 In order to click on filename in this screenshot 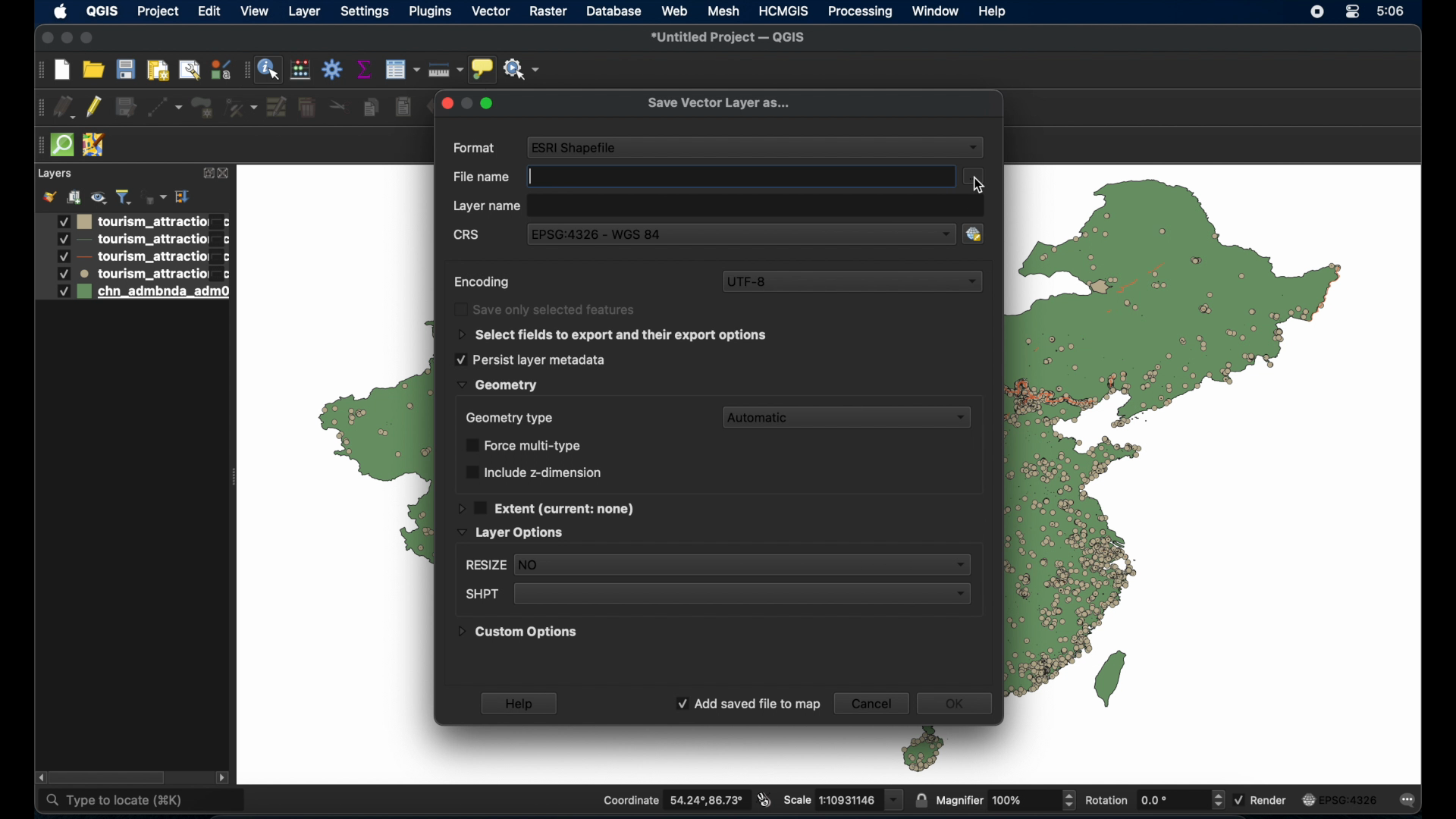, I will do `click(479, 177)`.